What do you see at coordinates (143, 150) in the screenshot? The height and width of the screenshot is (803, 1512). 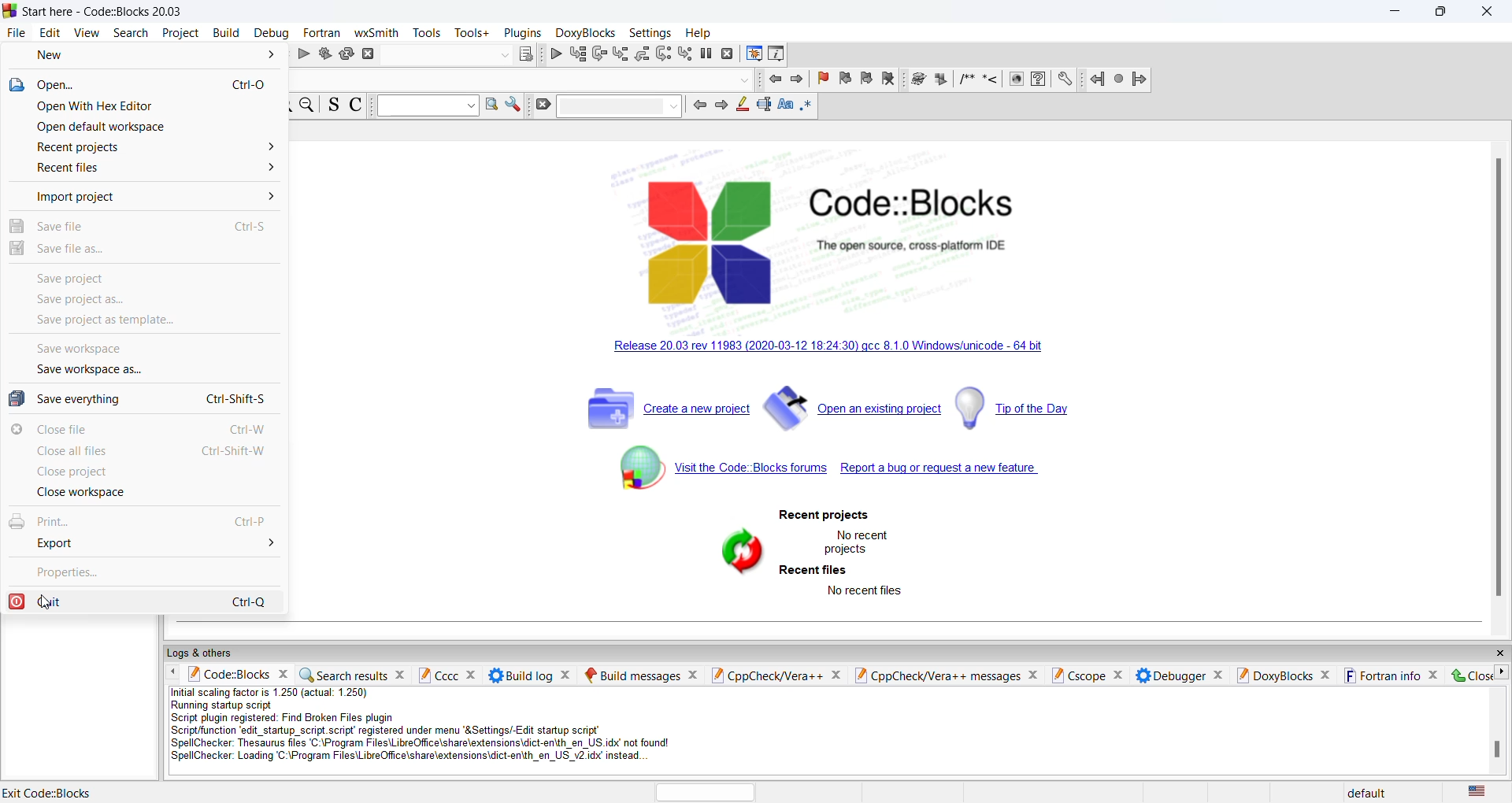 I see `recent projects` at bounding box center [143, 150].